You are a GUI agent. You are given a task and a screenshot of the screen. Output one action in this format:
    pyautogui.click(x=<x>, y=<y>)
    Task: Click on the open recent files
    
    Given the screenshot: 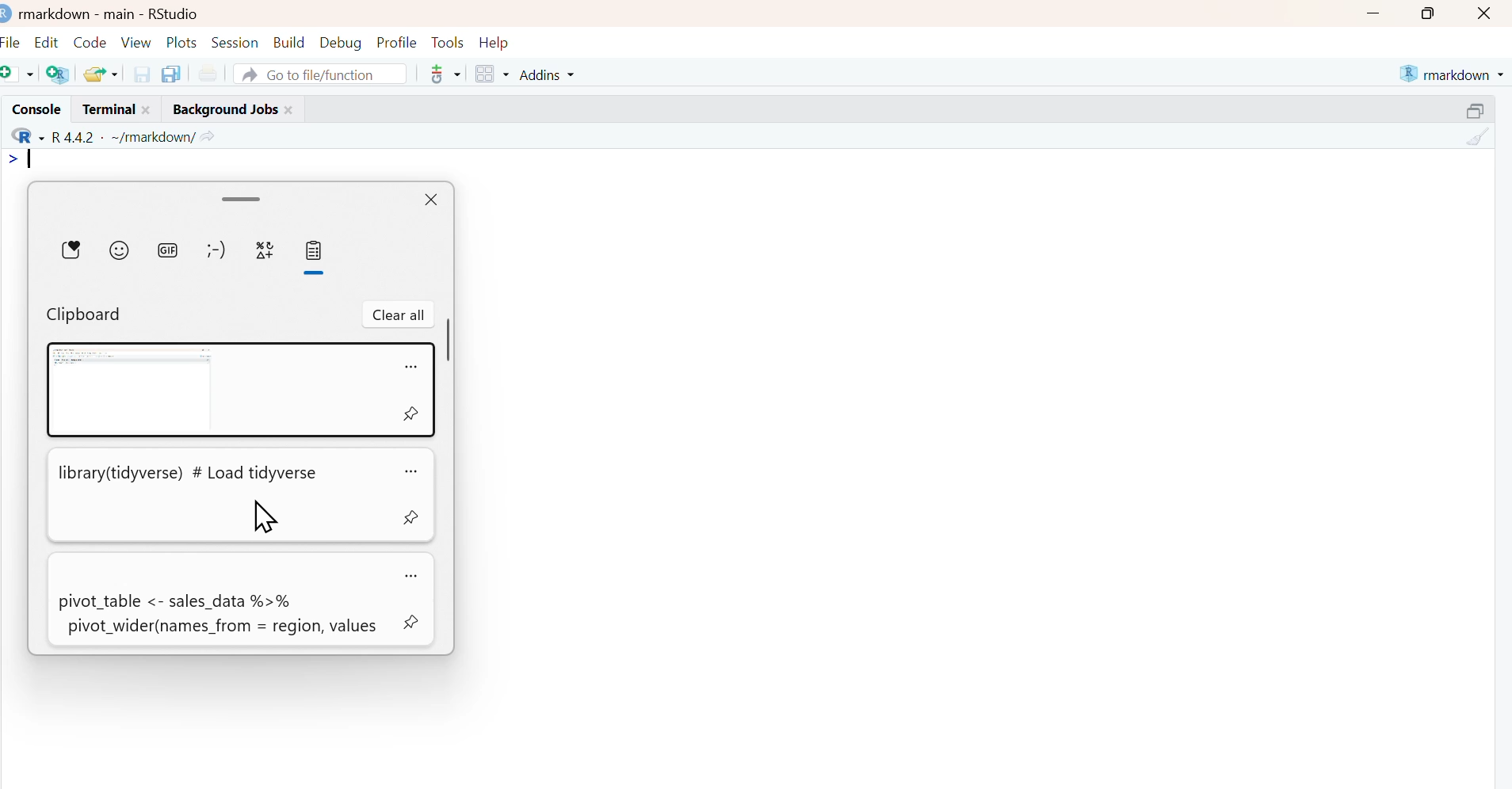 What is the action you would take?
    pyautogui.click(x=101, y=72)
    